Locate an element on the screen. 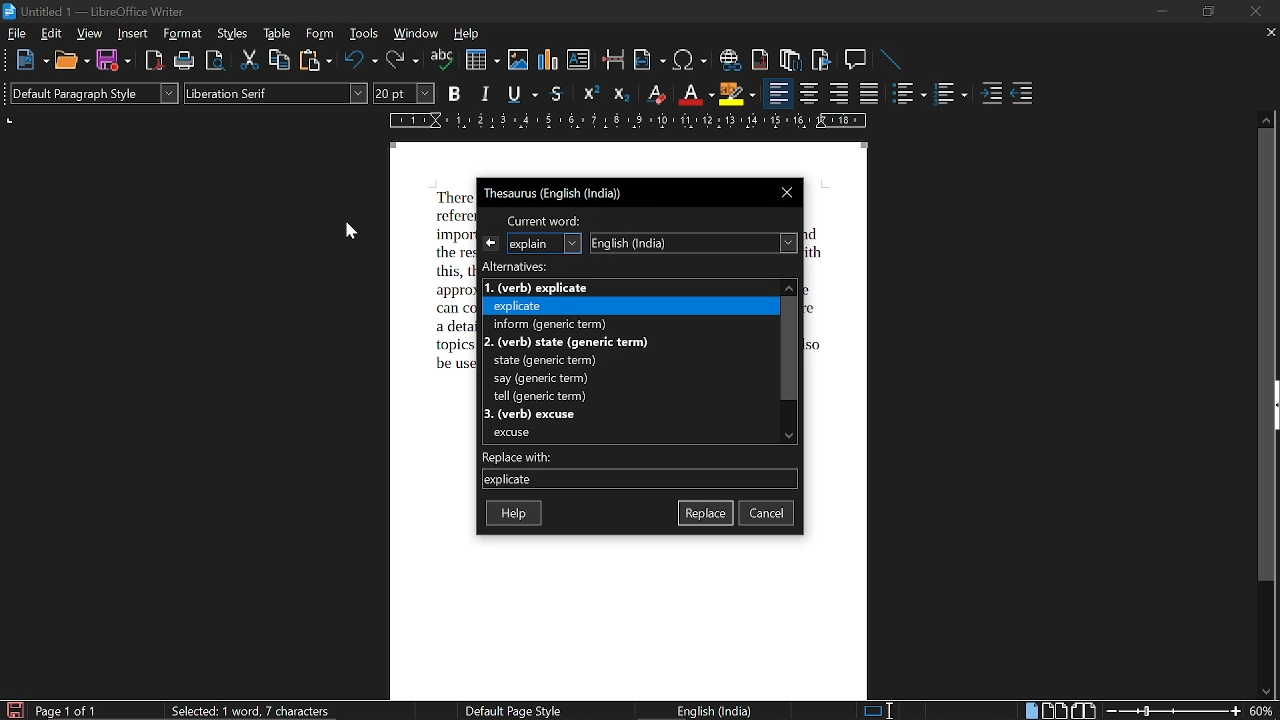  file is located at coordinates (18, 35).